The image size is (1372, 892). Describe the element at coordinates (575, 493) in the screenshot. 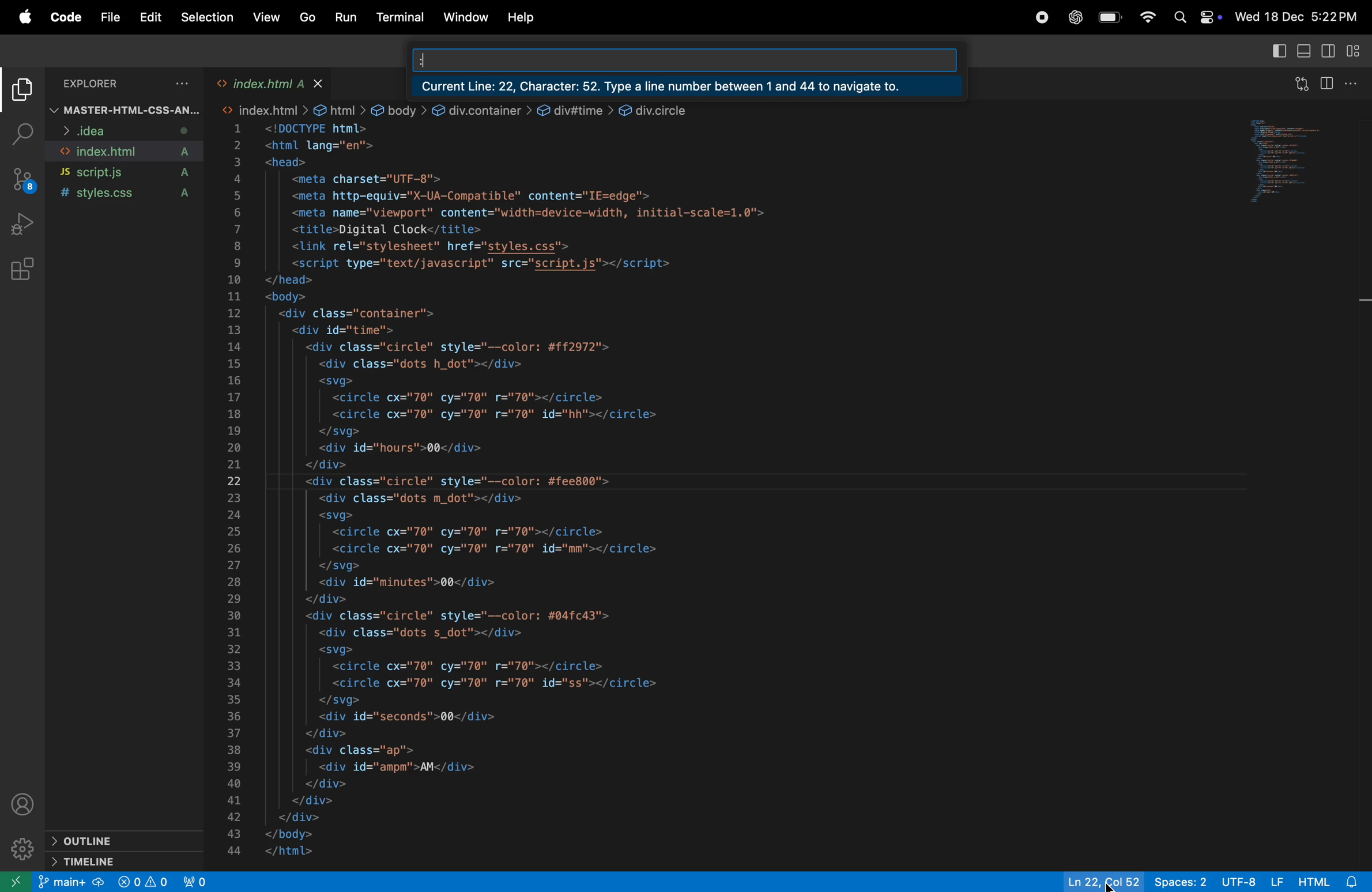

I see `<!DOCTYPE html>
<html lang="en">
<head>
<meta charset="UTF-8">
<meta http-equiv="X-UA-Compatible" content="IE=edge">
<meta name="viewport" content="width=device-width, initial-scale=1.0">
<title>Digital Clock</title>
<link rel="stylesheet" href="styles.css">
<script type="text/javascript" src="script.js"></script>
</head>
<body>
<div class="container">
<div id="time">
<div class="circle" style="--color: #ff2972">
<div class="dots h_dot"></div>
<svg>
<circle cx="70" cy="70" r="70"></circle>
<circle cx="70" cy="70" r="70" id="hh"></circle>
</svg>
<div id="hours">00</div>
</div>
<div class="circle" style="--color: #fee800">
<div class="dots m_dot"></div>
<svg>
<circle cx="70" cy="70" r="70"></circle>
<circle cx="70" cy="70" r="70" id="mm"></circle>
</svg>
<div id="minutes">00</div>
</div>
<div class="circle" style="-—color: #04fc43">
<div class="dots s_dot"></div>
<svg>
<circle cx="70" cy="70" r="70"></circle>
<circle cx="70" cy="70" r="70" id="ss"></circle>
</svg>
<div id="seconds">00</div>
</div>
<div class="ap">
<div id="ampm">AM</div>
</div>
</div>
</div>
</body>
</html>` at that location.